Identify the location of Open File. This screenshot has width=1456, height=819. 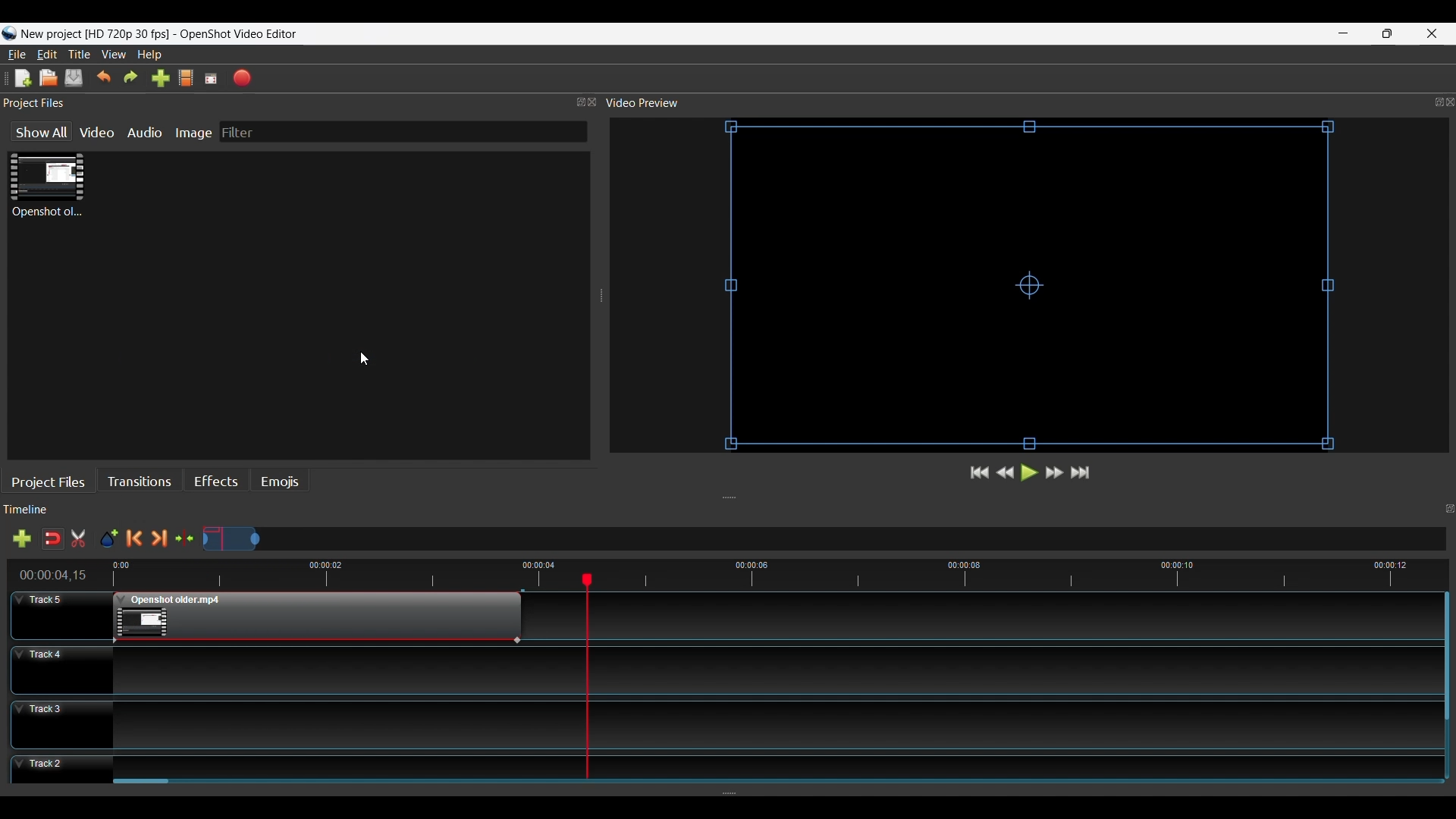
(48, 78).